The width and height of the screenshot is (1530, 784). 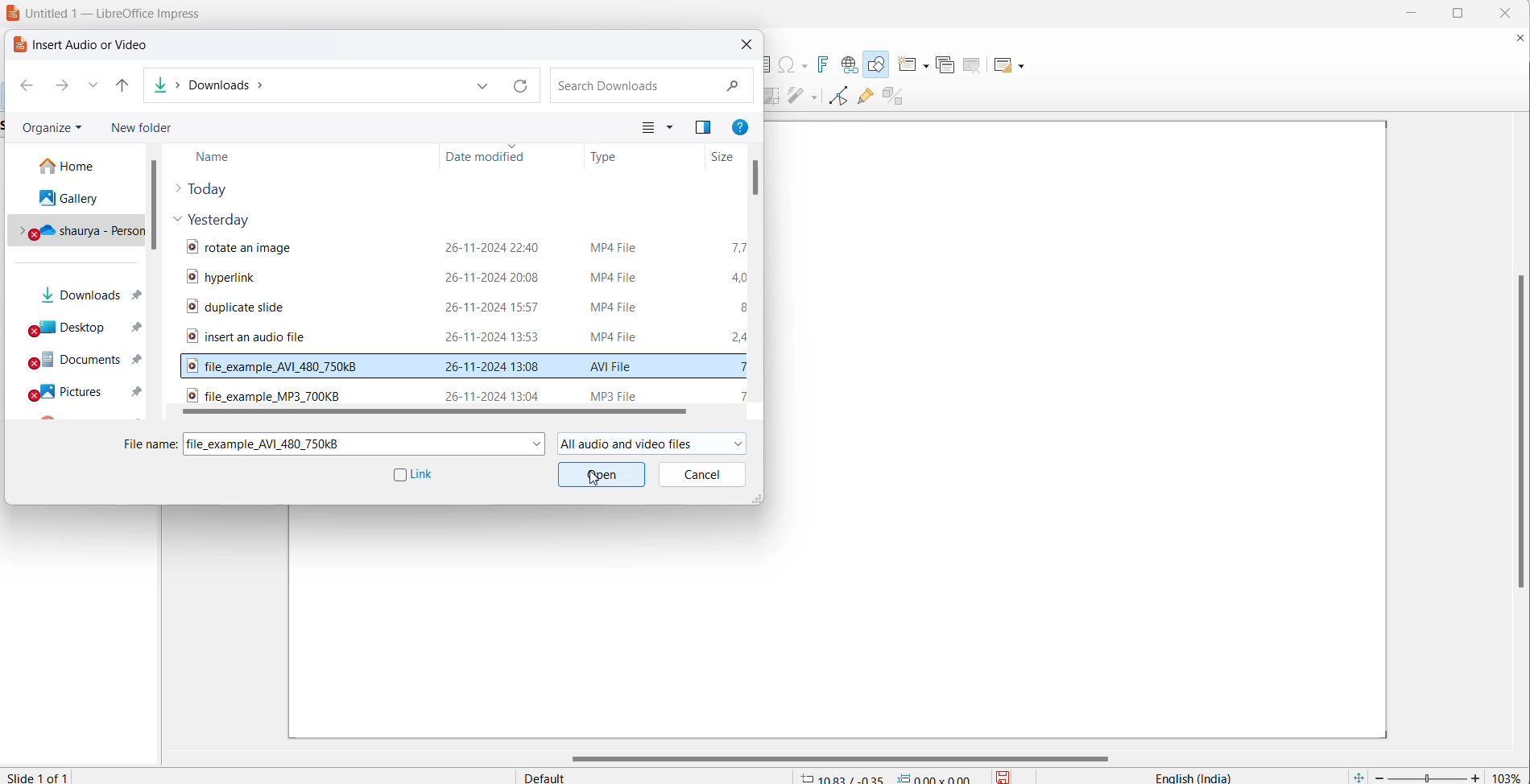 I want to click on duplicate slide, so click(x=949, y=64).